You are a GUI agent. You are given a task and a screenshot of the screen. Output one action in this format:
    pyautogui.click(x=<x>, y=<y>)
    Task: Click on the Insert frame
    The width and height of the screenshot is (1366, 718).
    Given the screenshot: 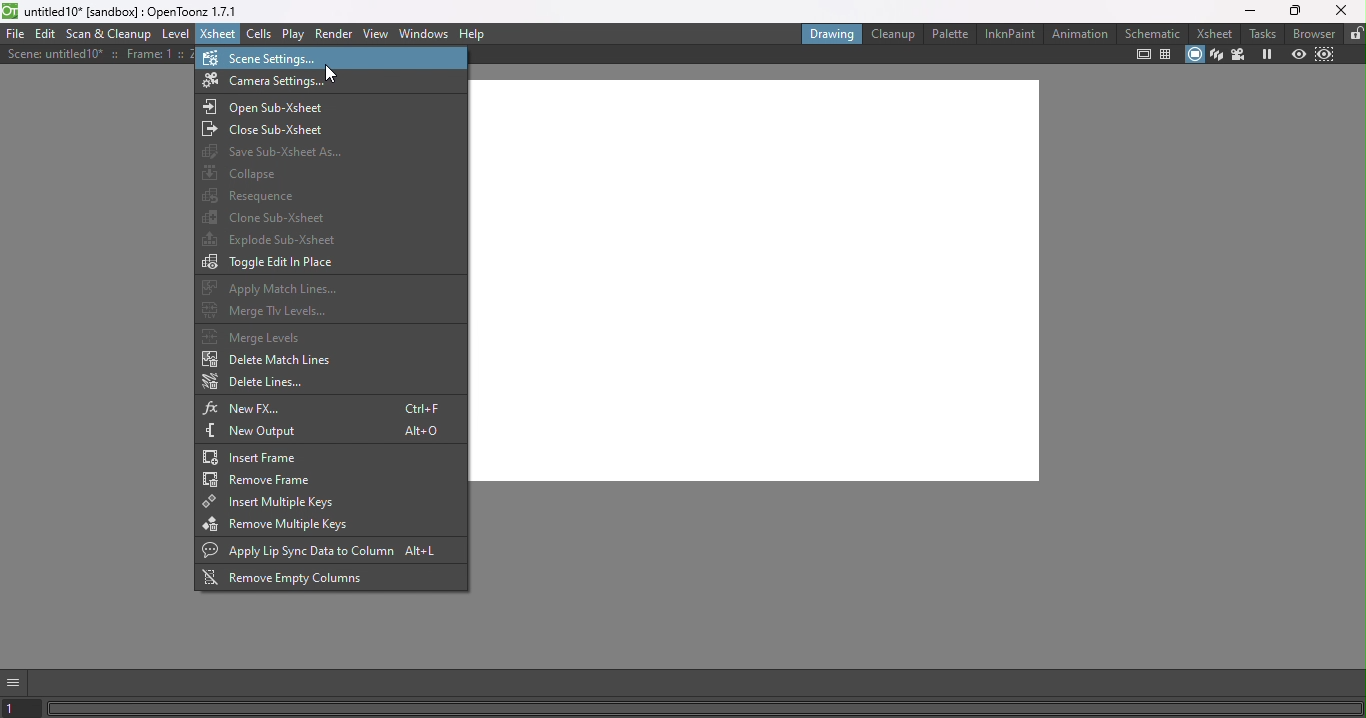 What is the action you would take?
    pyautogui.click(x=262, y=456)
    